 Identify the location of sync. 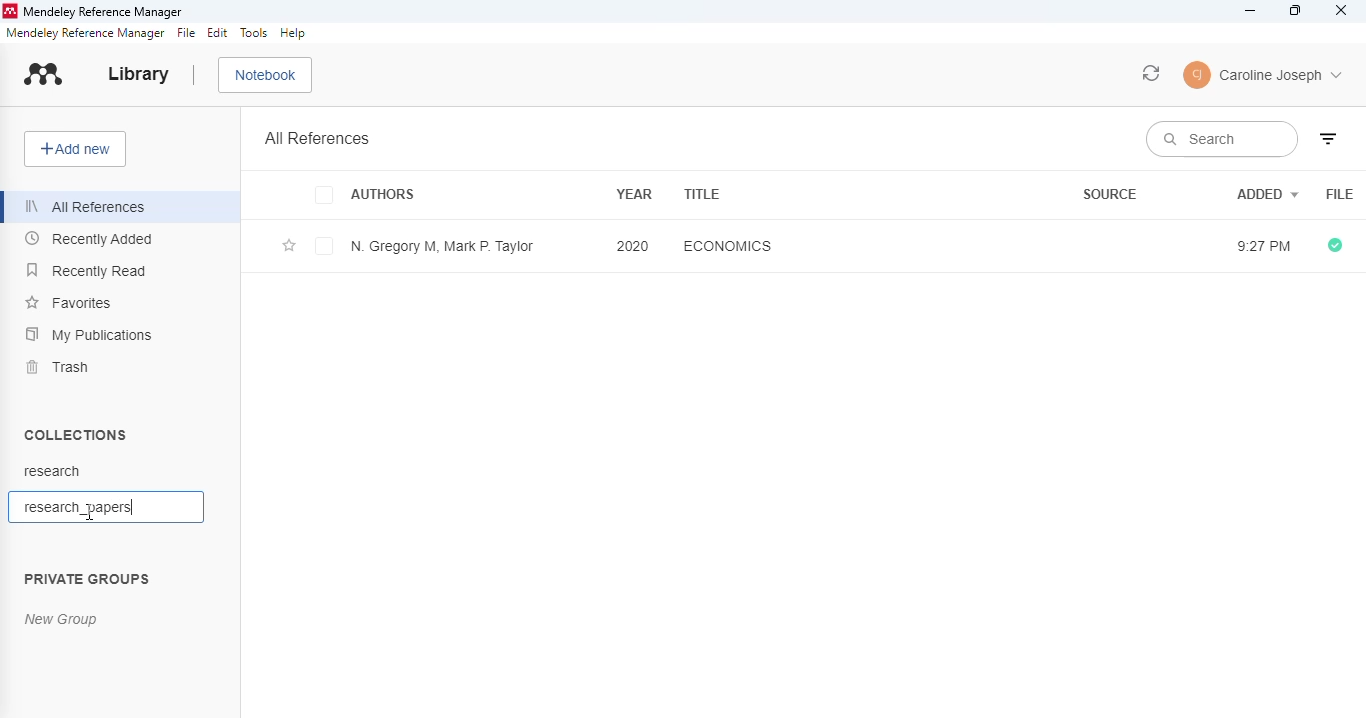
(1152, 73).